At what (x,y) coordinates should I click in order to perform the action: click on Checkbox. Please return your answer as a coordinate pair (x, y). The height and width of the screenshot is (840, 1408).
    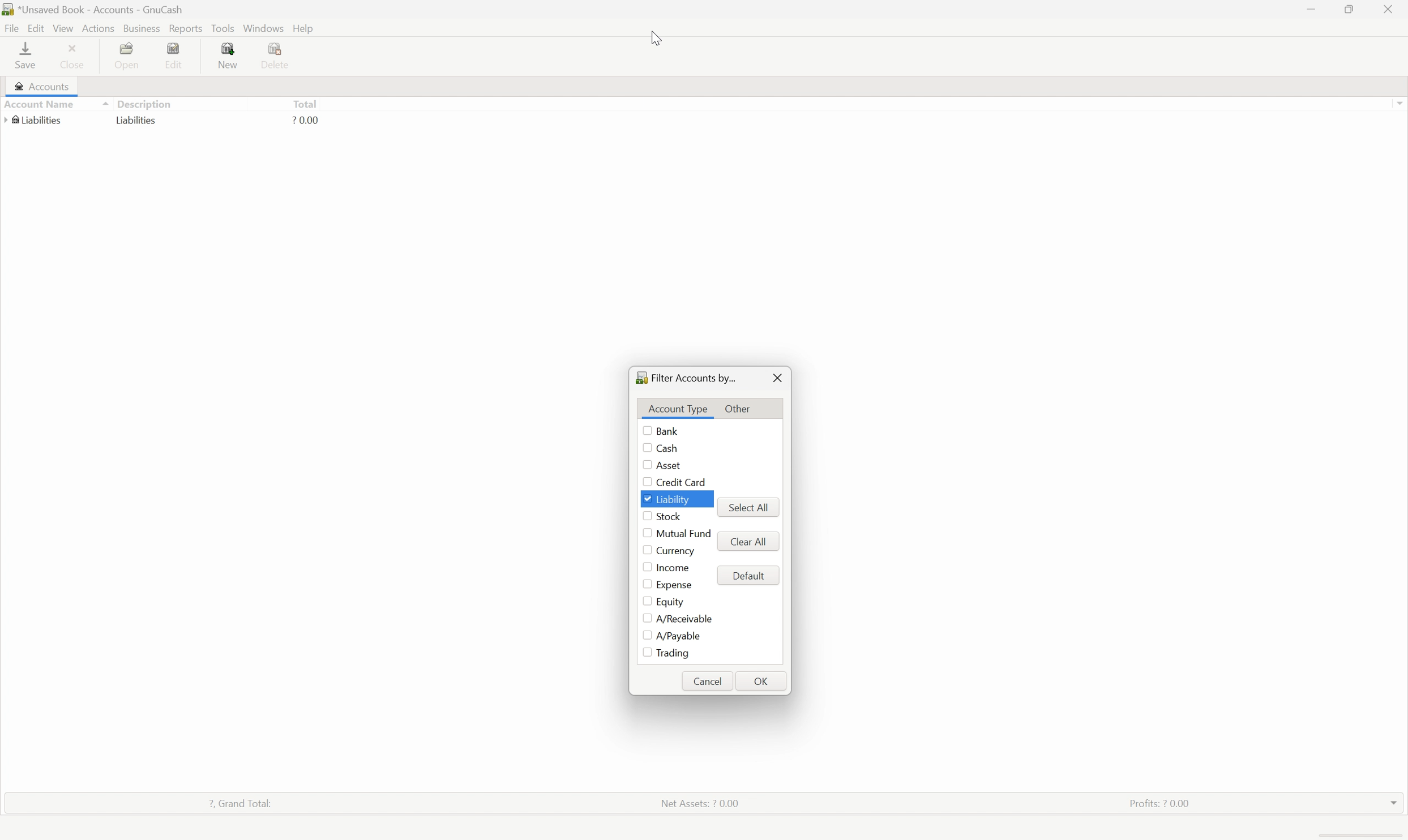
    Looking at the image, I should click on (646, 466).